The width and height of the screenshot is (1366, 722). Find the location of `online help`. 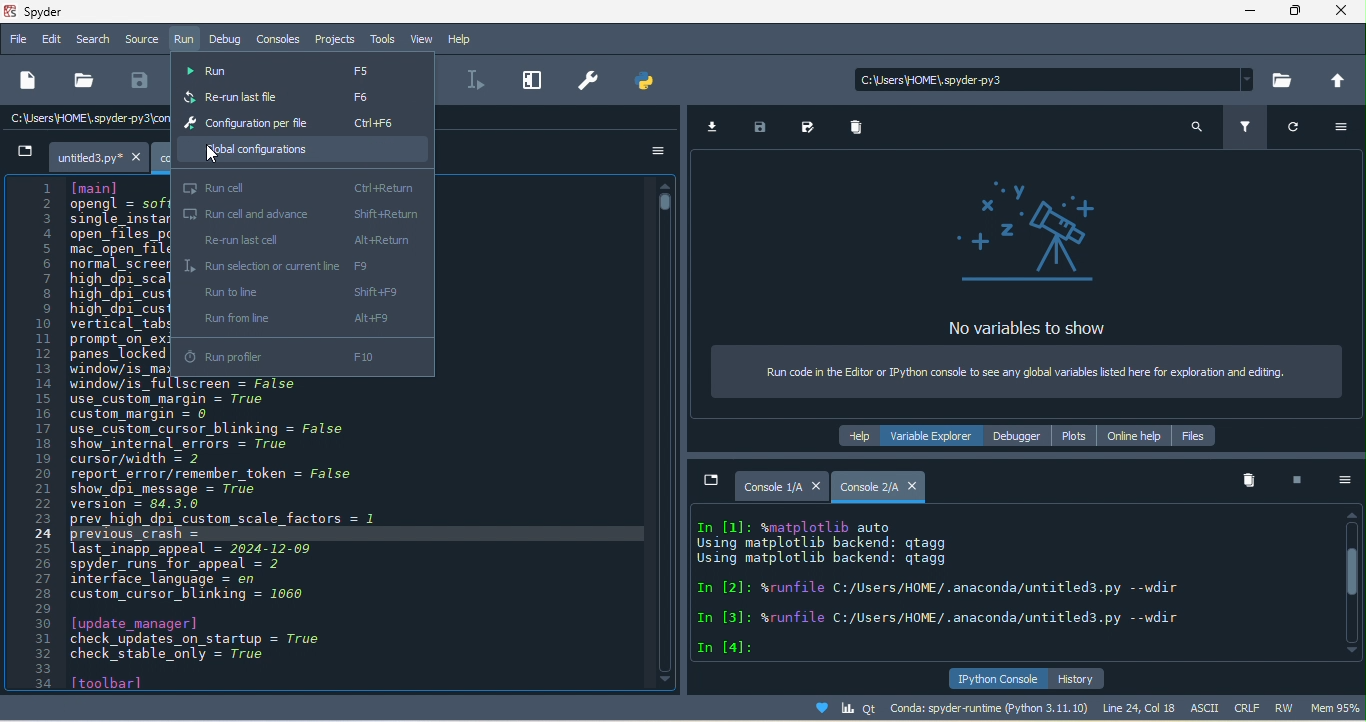

online help is located at coordinates (1132, 435).